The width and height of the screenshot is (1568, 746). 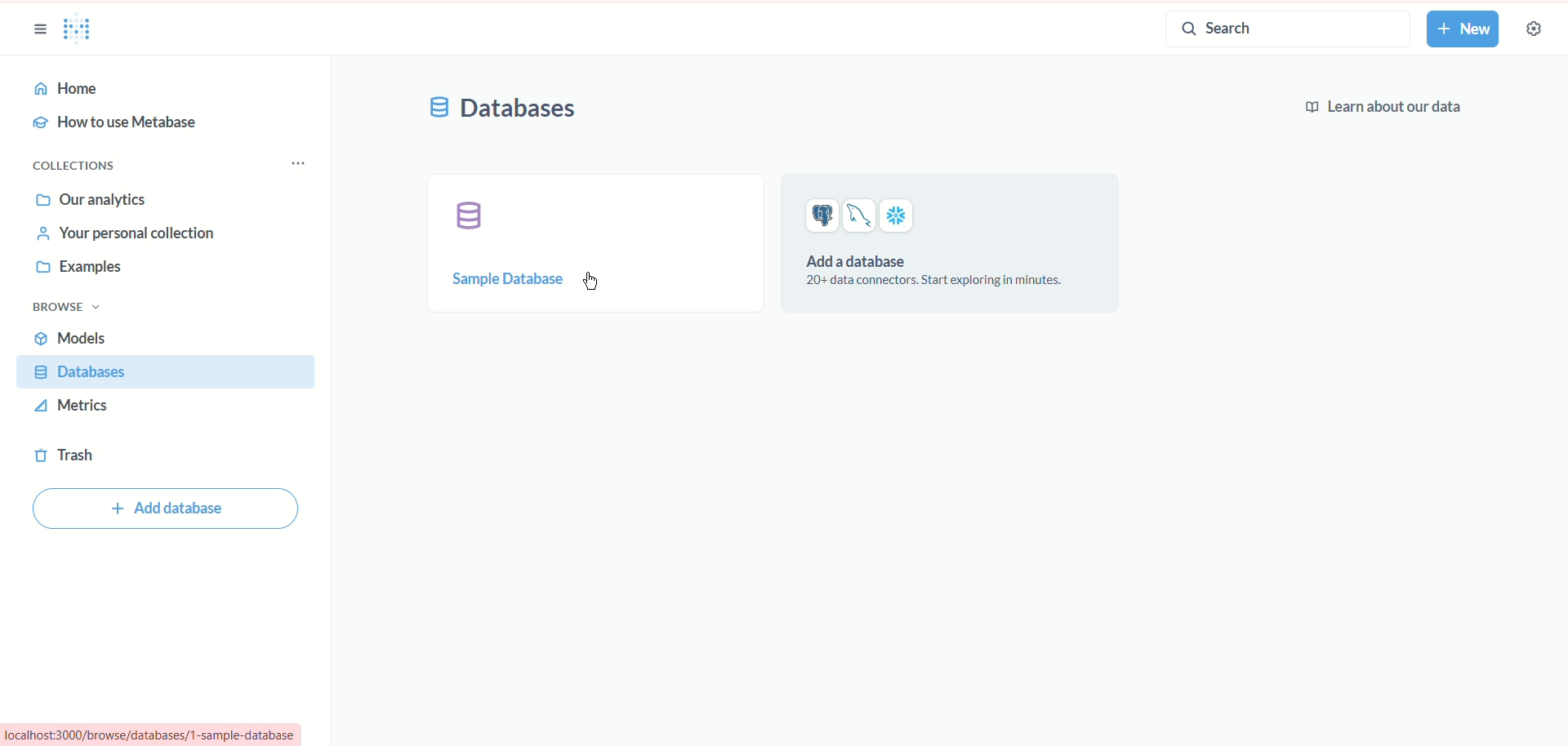 What do you see at coordinates (165, 371) in the screenshot?
I see `database` at bounding box center [165, 371].